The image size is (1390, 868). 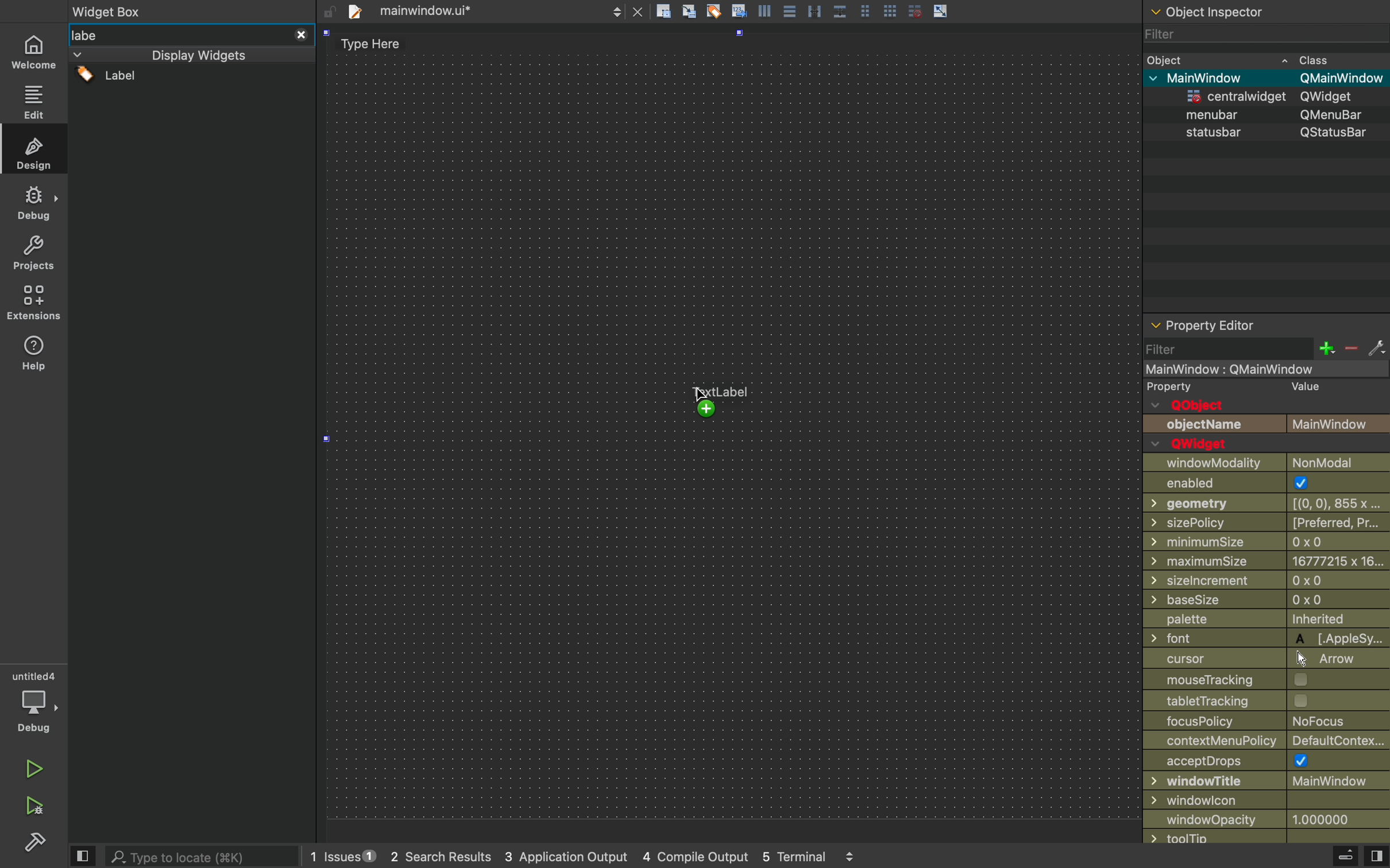 What do you see at coordinates (192, 80) in the screenshot?
I see `mouse down ` at bounding box center [192, 80].